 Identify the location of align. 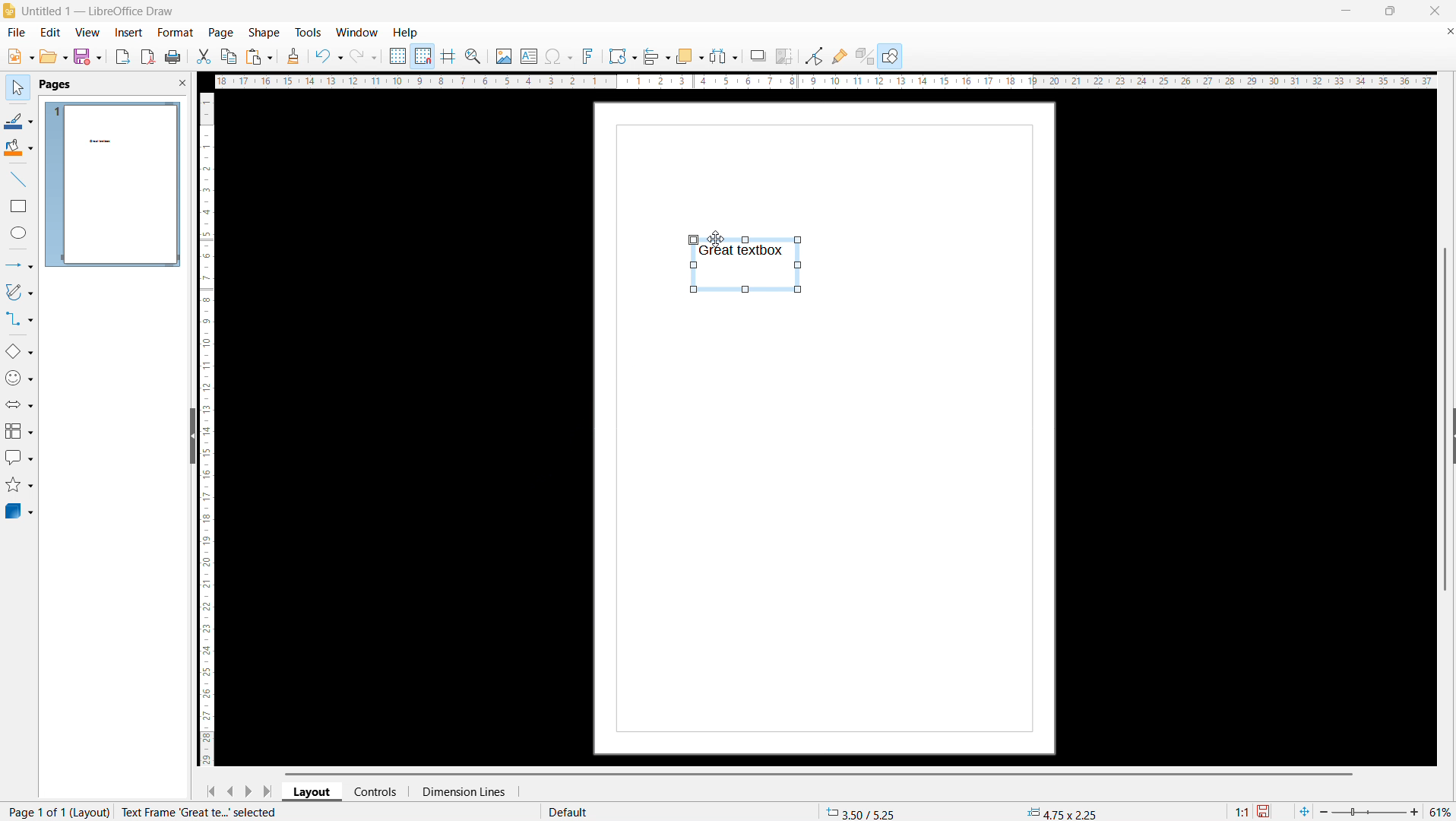
(657, 55).